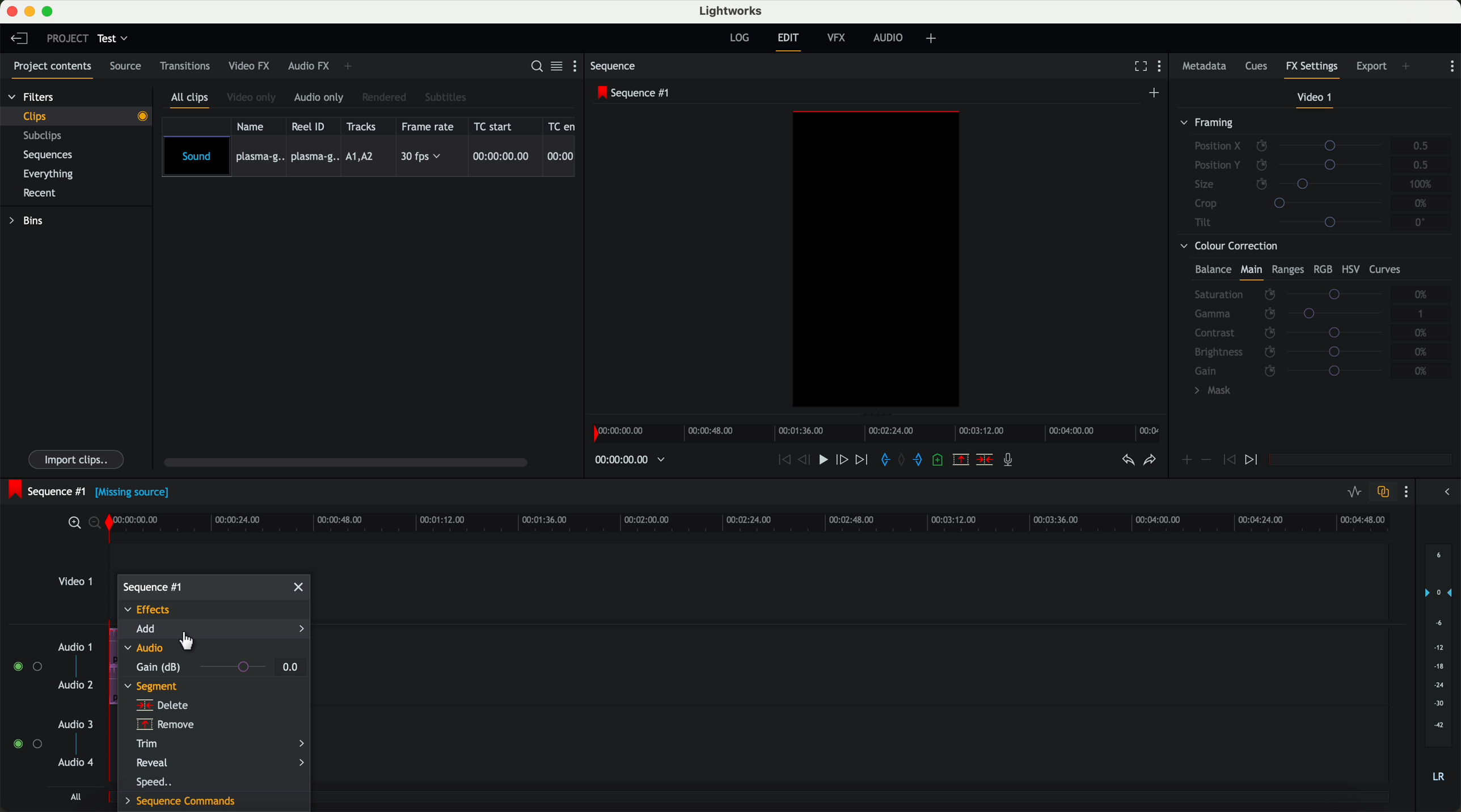 The image size is (1461, 812). I want to click on subclips, so click(45, 137).